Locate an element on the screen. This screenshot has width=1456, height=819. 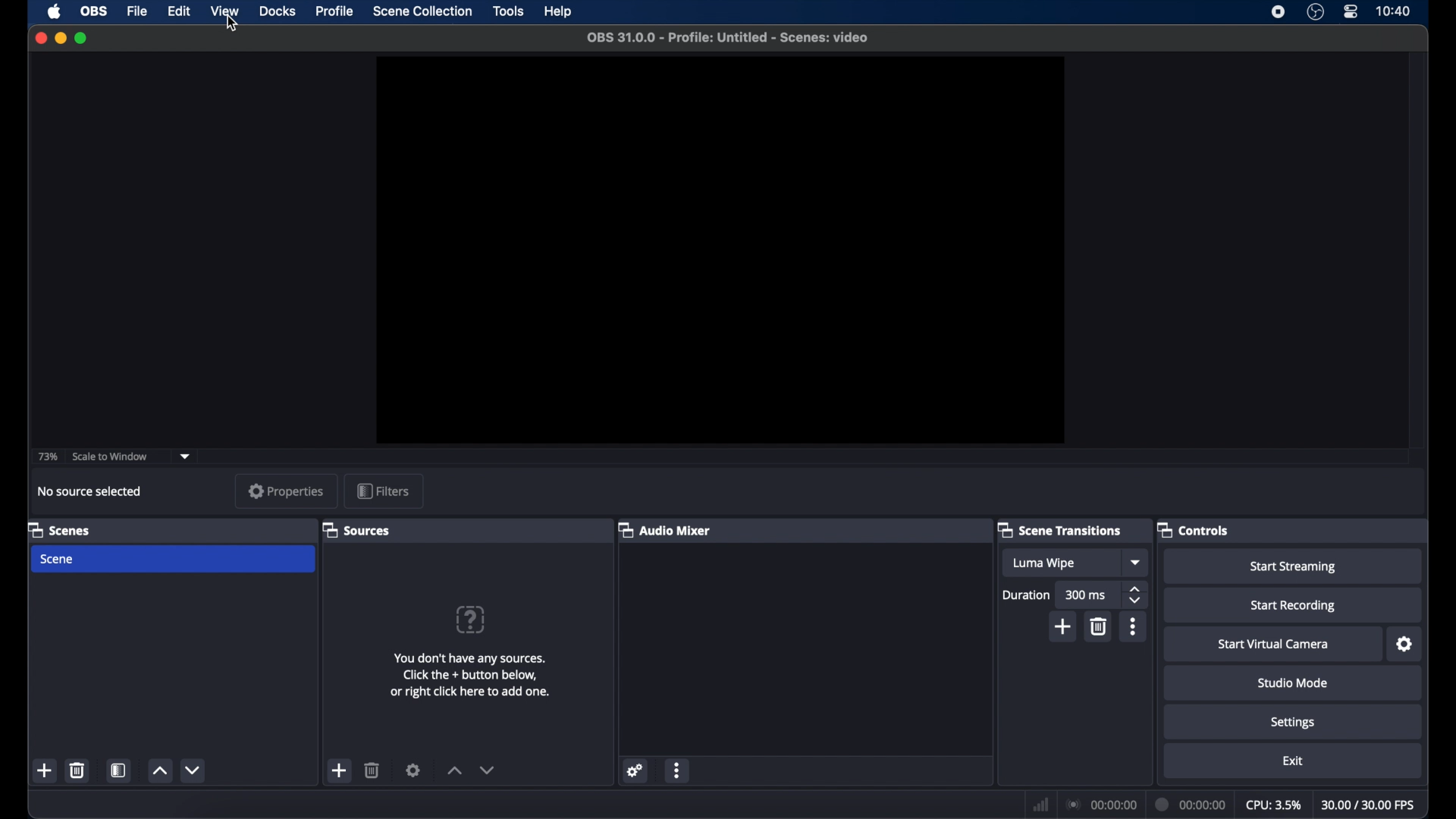
cpu: 3.5% is located at coordinates (1273, 804).